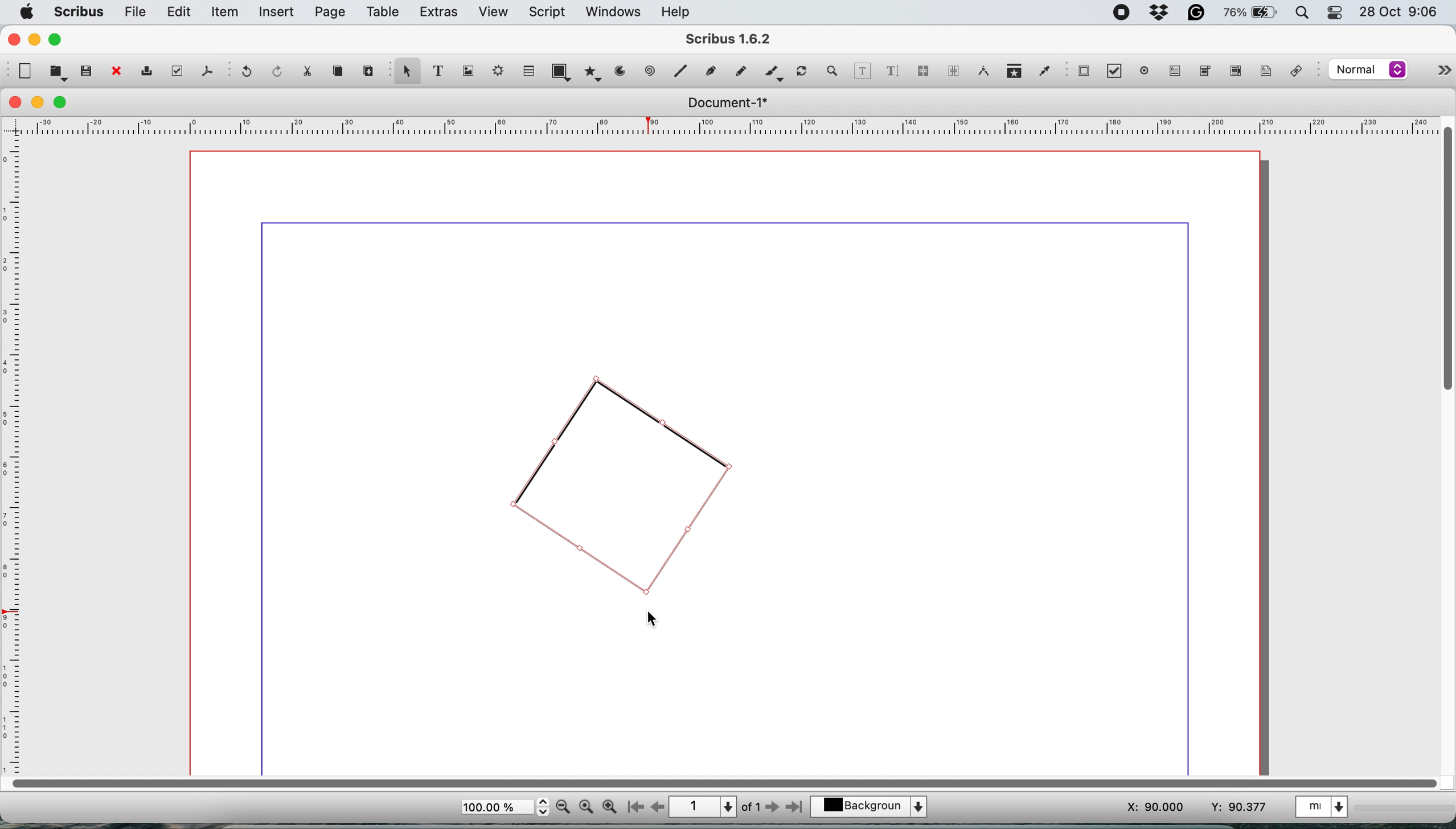 Image resolution: width=1456 pixels, height=829 pixels. I want to click on select the current layer, so click(871, 805).